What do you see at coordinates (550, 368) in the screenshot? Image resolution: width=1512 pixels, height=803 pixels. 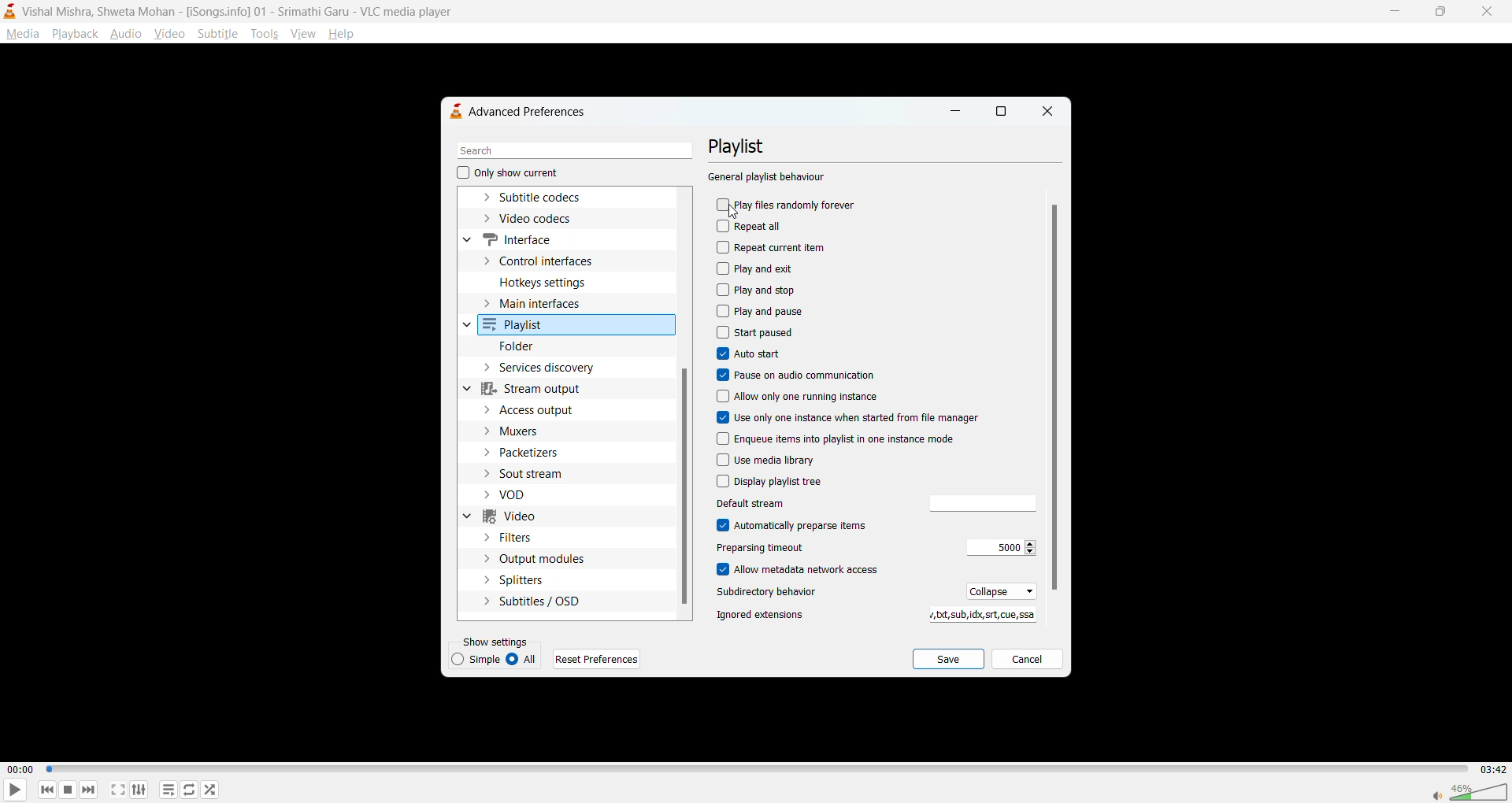 I see `services discovery` at bounding box center [550, 368].